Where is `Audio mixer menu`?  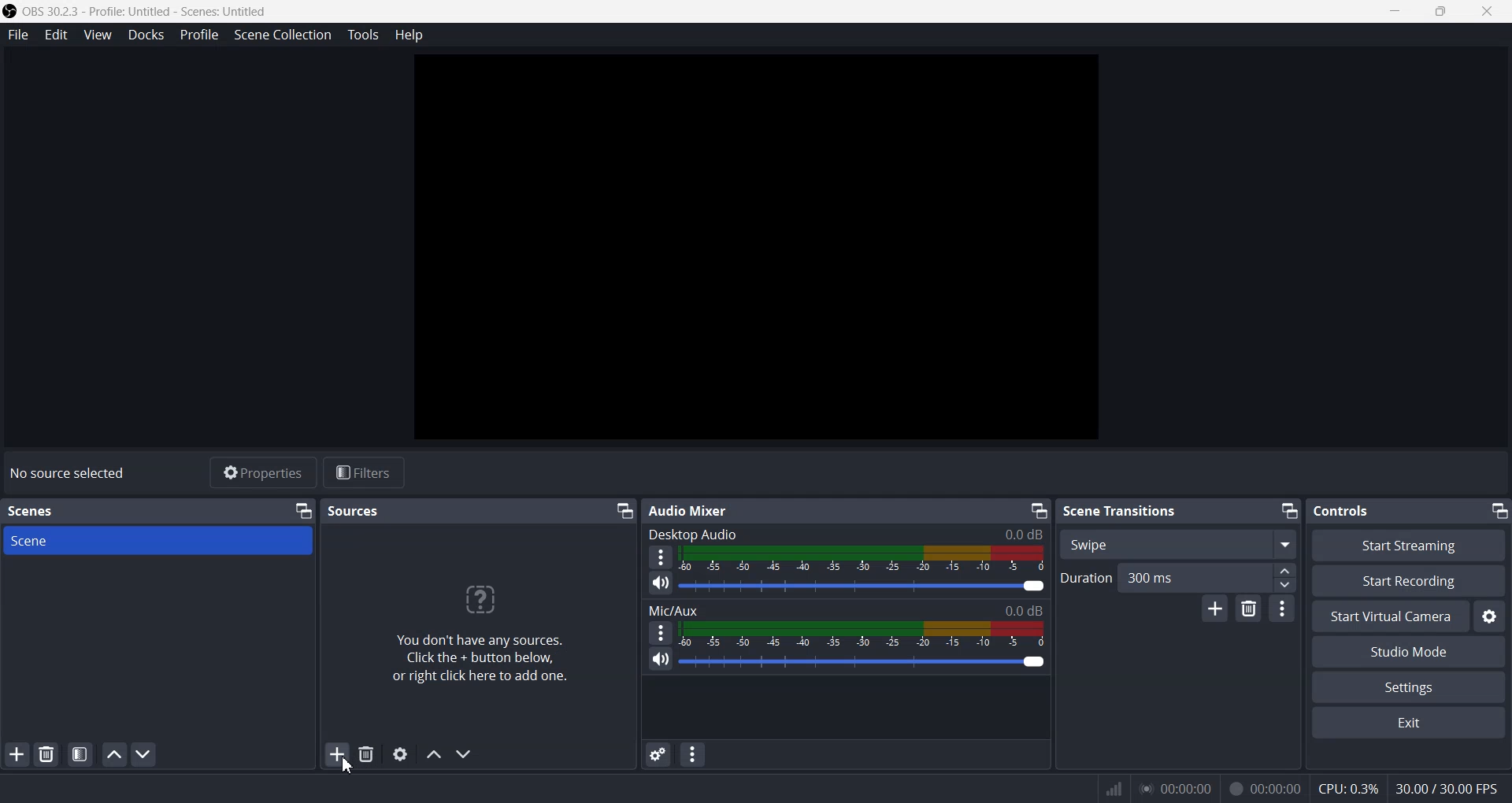 Audio mixer menu is located at coordinates (692, 754).